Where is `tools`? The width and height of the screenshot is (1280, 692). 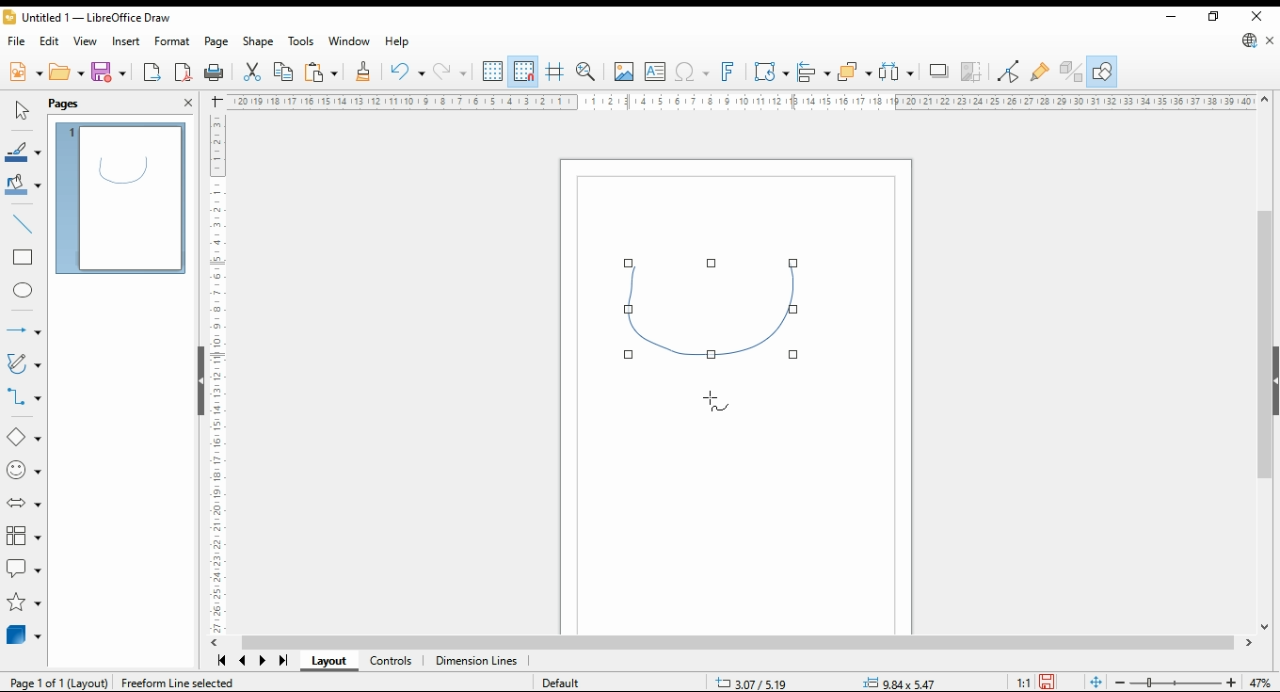 tools is located at coordinates (302, 41).